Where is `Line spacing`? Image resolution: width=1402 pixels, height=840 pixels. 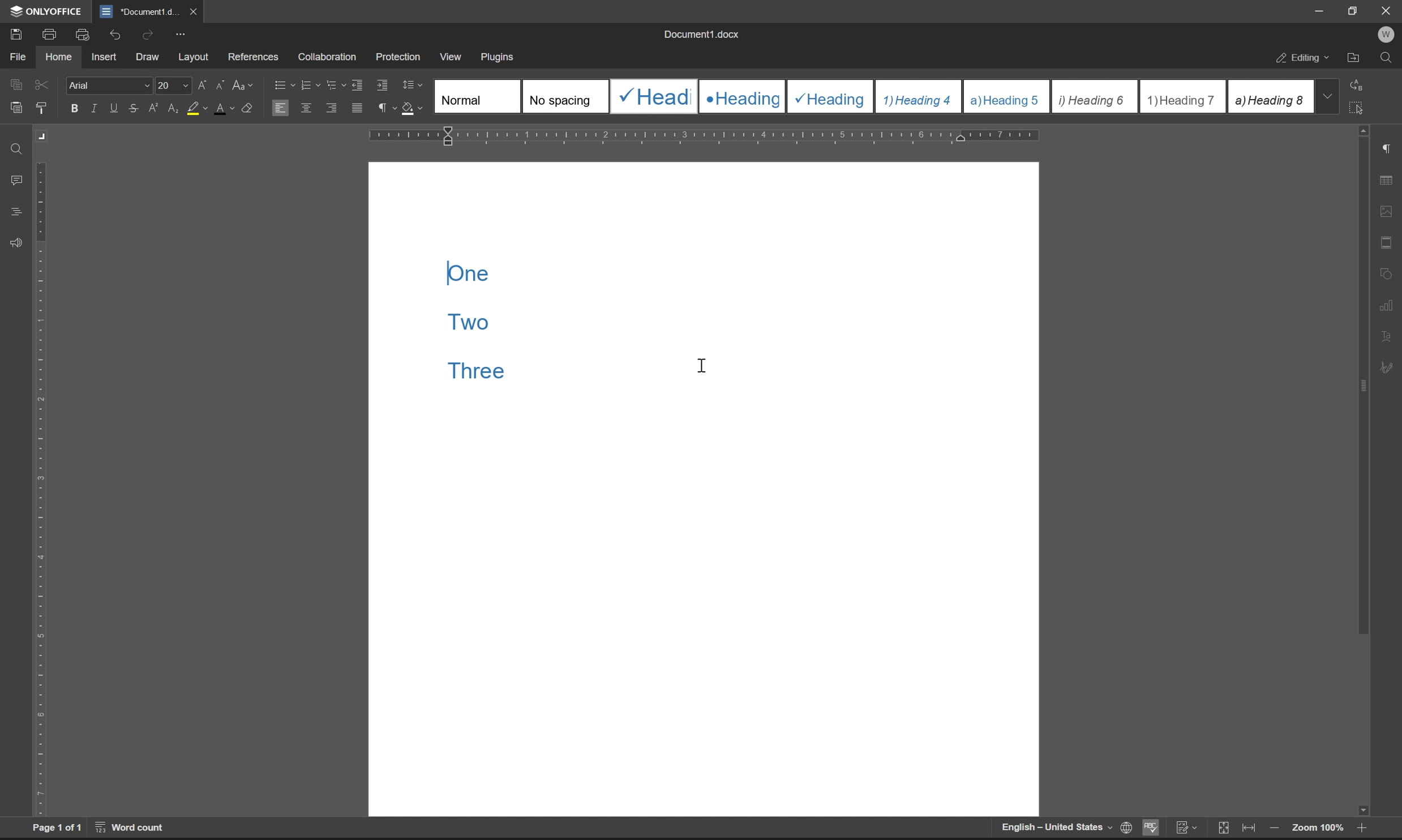
Line spacing is located at coordinates (417, 85).